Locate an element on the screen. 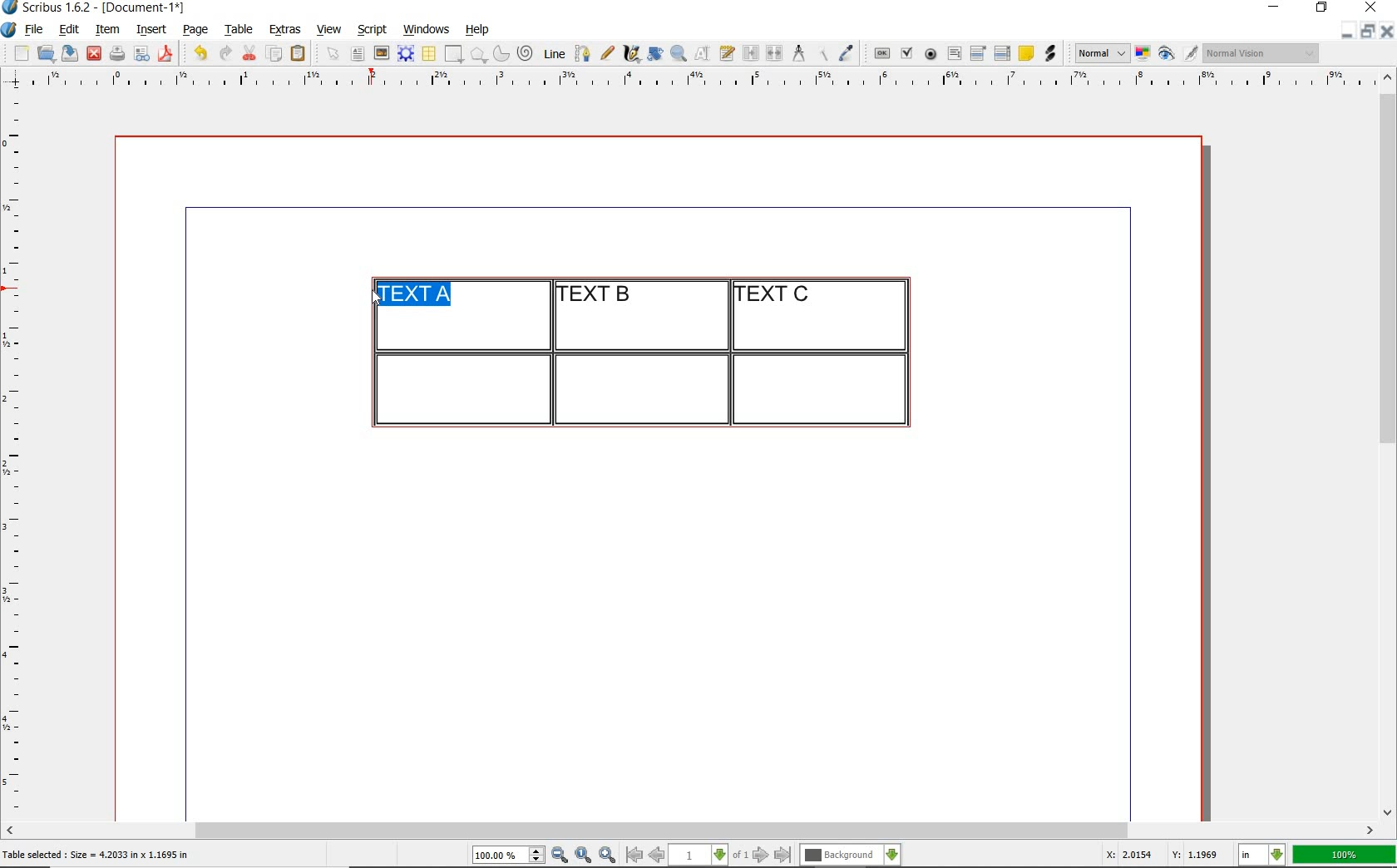 The image size is (1397, 868). edit is located at coordinates (70, 29).